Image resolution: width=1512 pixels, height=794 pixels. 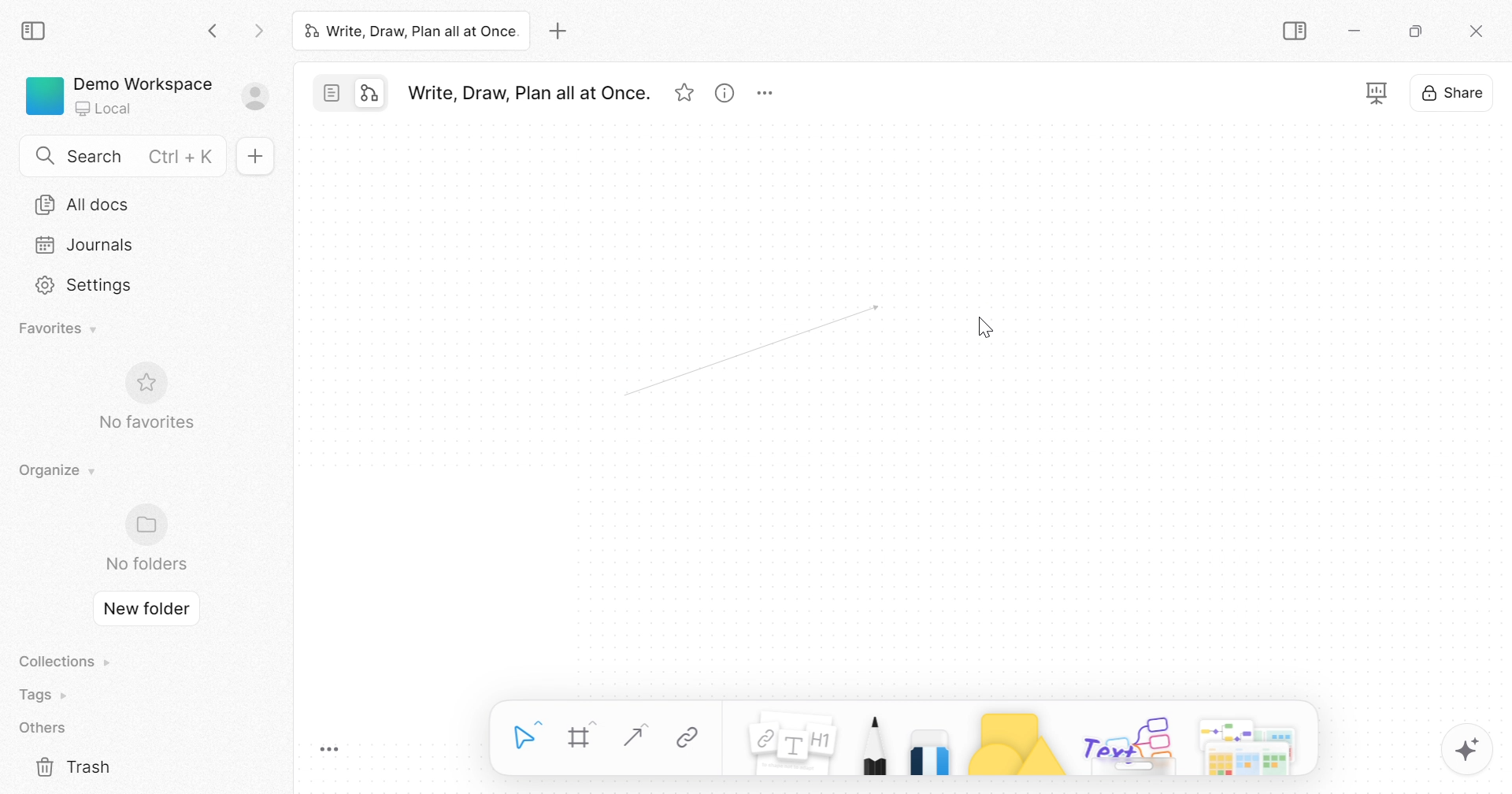 I want to click on Others, so click(x=43, y=729).